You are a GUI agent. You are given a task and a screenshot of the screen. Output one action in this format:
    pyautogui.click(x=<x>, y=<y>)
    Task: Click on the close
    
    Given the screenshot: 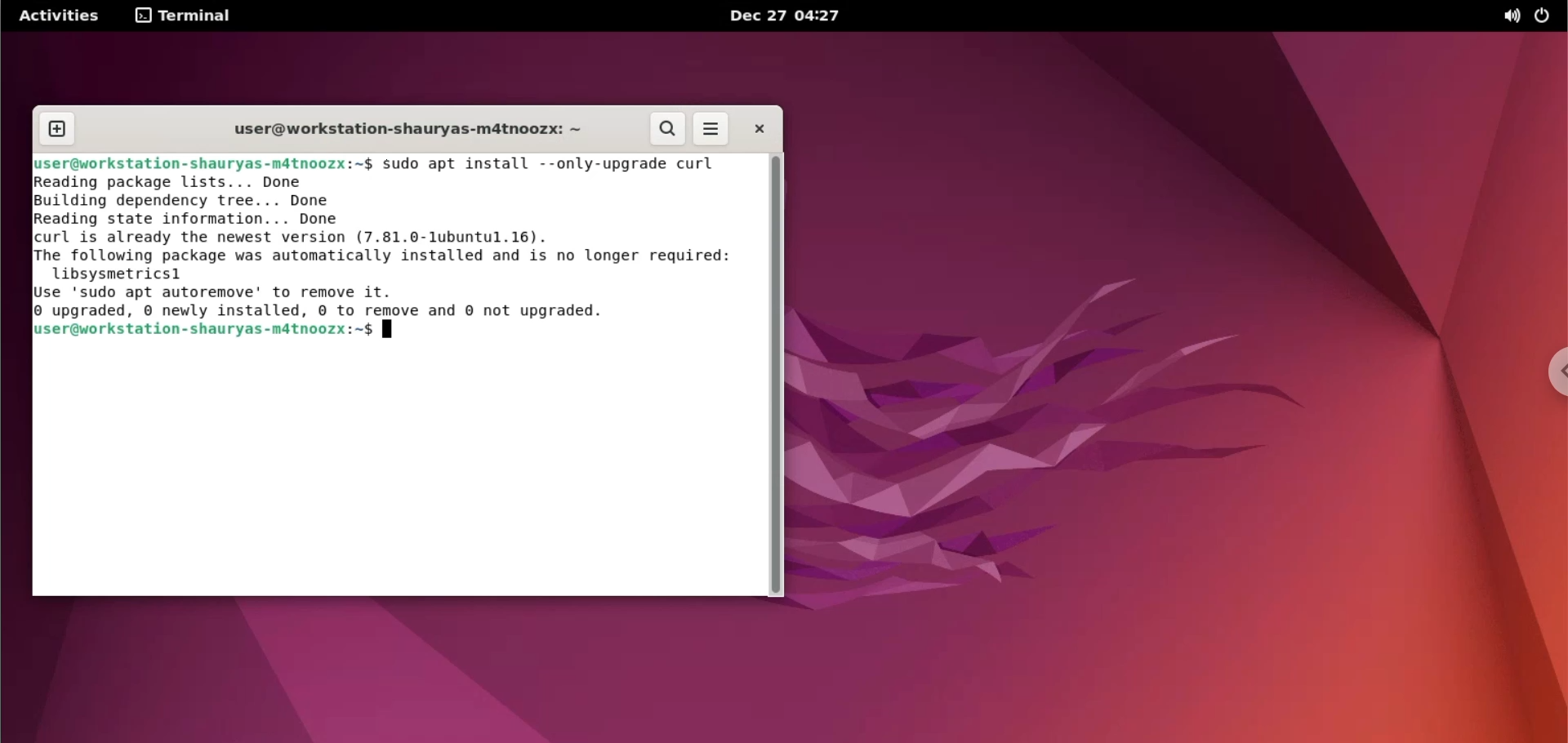 What is the action you would take?
    pyautogui.click(x=753, y=128)
    